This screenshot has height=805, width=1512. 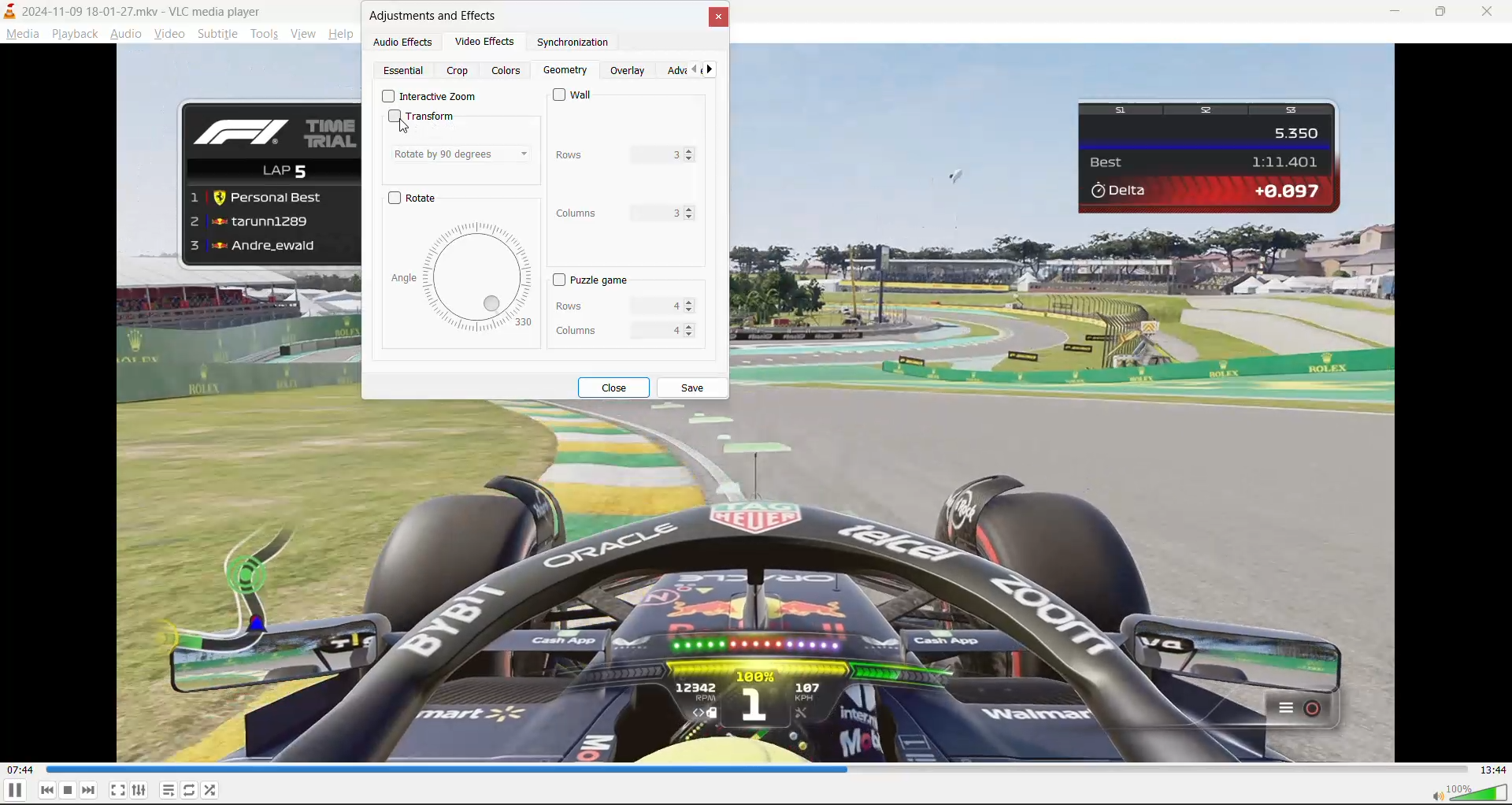 What do you see at coordinates (402, 72) in the screenshot?
I see `essential` at bounding box center [402, 72].